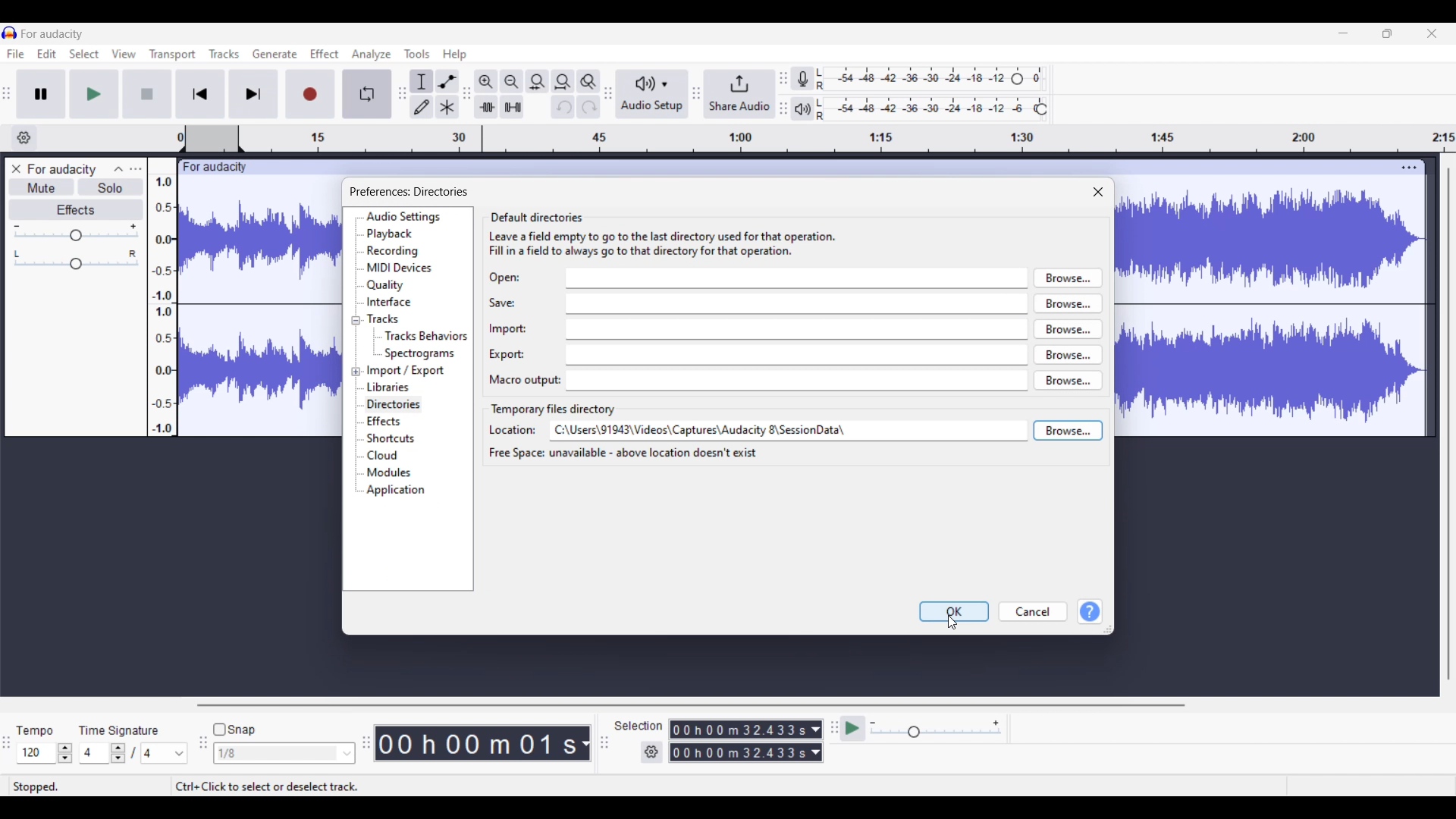 This screenshot has width=1456, height=819. I want to click on Settings, so click(652, 752).